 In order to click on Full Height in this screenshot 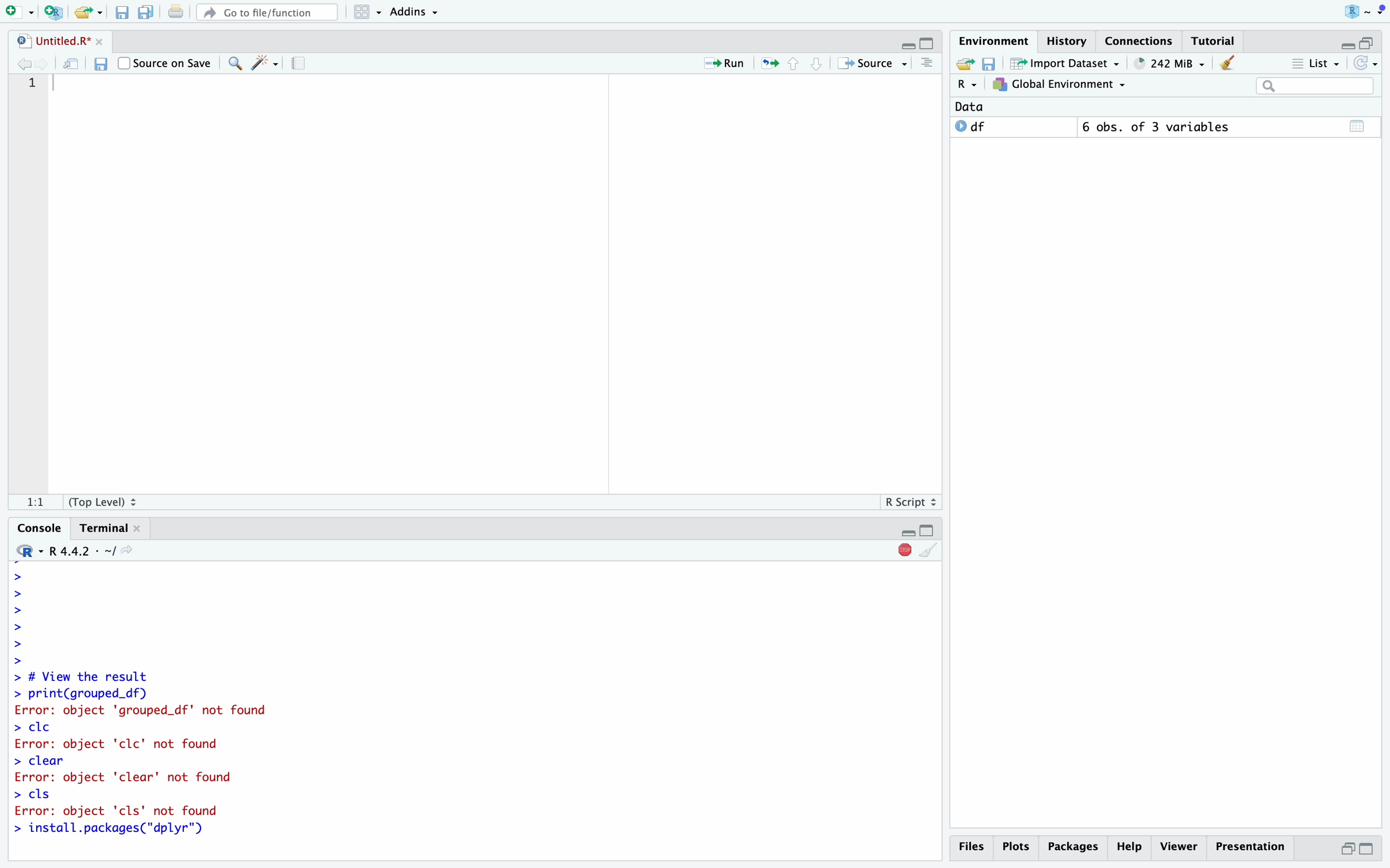, I will do `click(1368, 850)`.